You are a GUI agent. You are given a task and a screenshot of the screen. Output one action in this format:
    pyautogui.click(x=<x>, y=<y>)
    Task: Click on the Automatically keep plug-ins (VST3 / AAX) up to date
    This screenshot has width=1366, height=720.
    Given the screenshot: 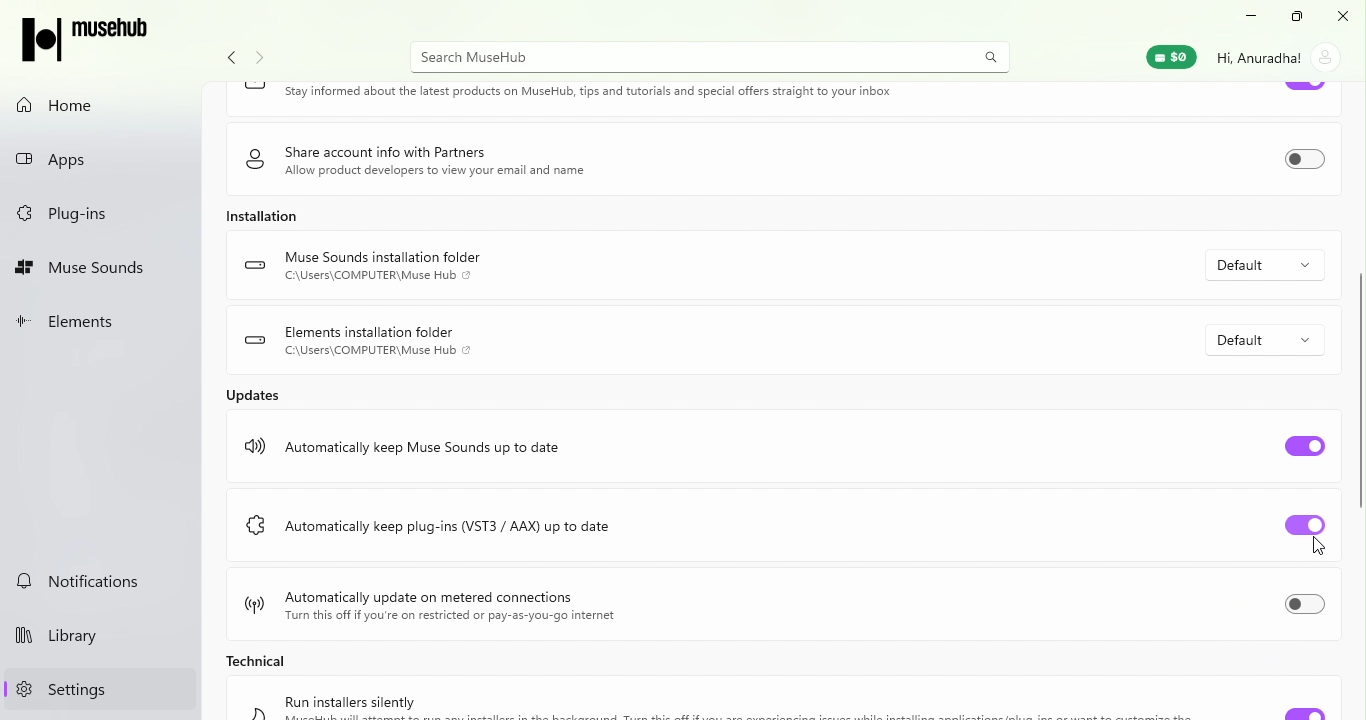 What is the action you would take?
    pyautogui.click(x=456, y=524)
    